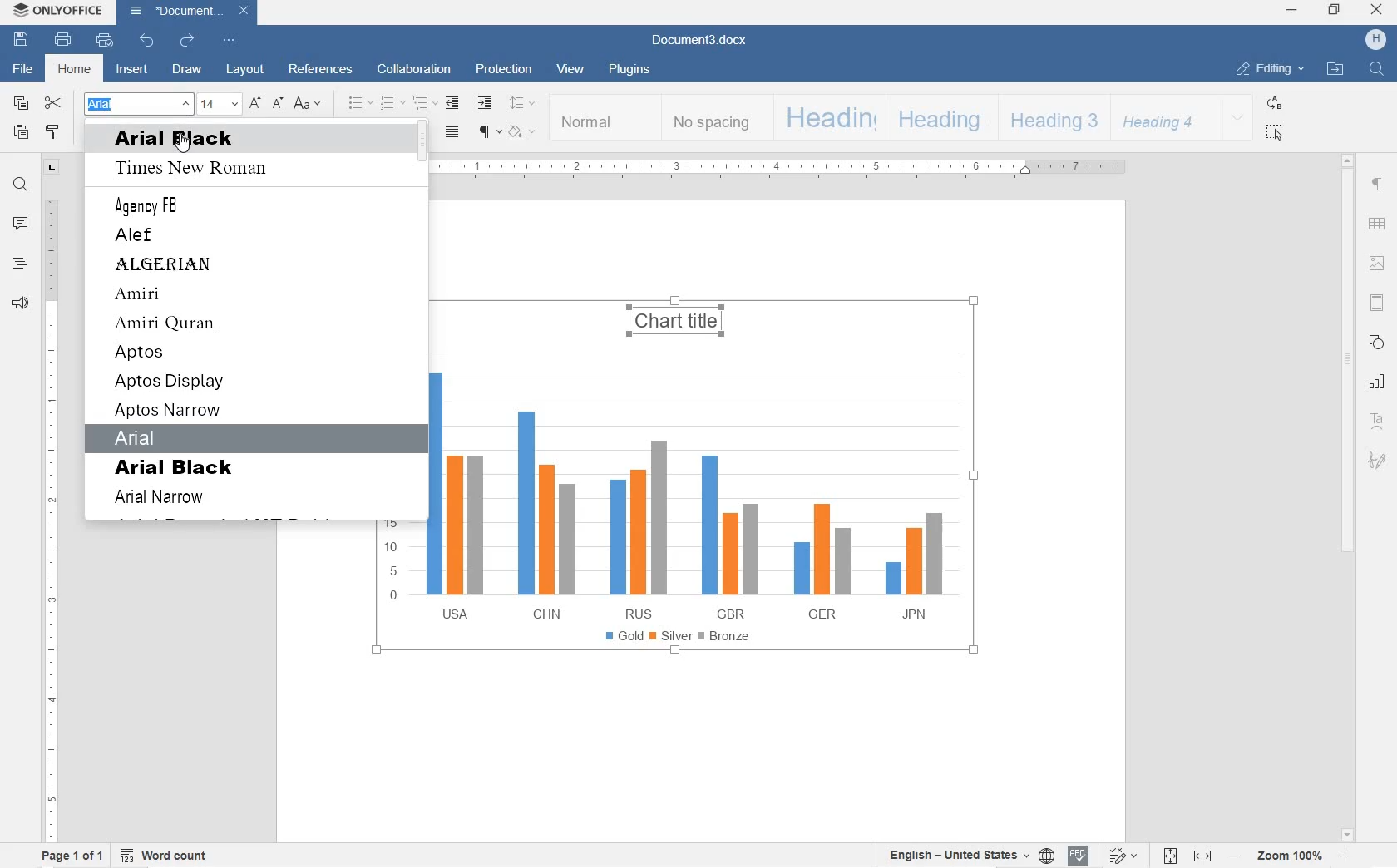 The height and width of the screenshot is (868, 1397). I want to click on NO SPACING, so click(713, 119).